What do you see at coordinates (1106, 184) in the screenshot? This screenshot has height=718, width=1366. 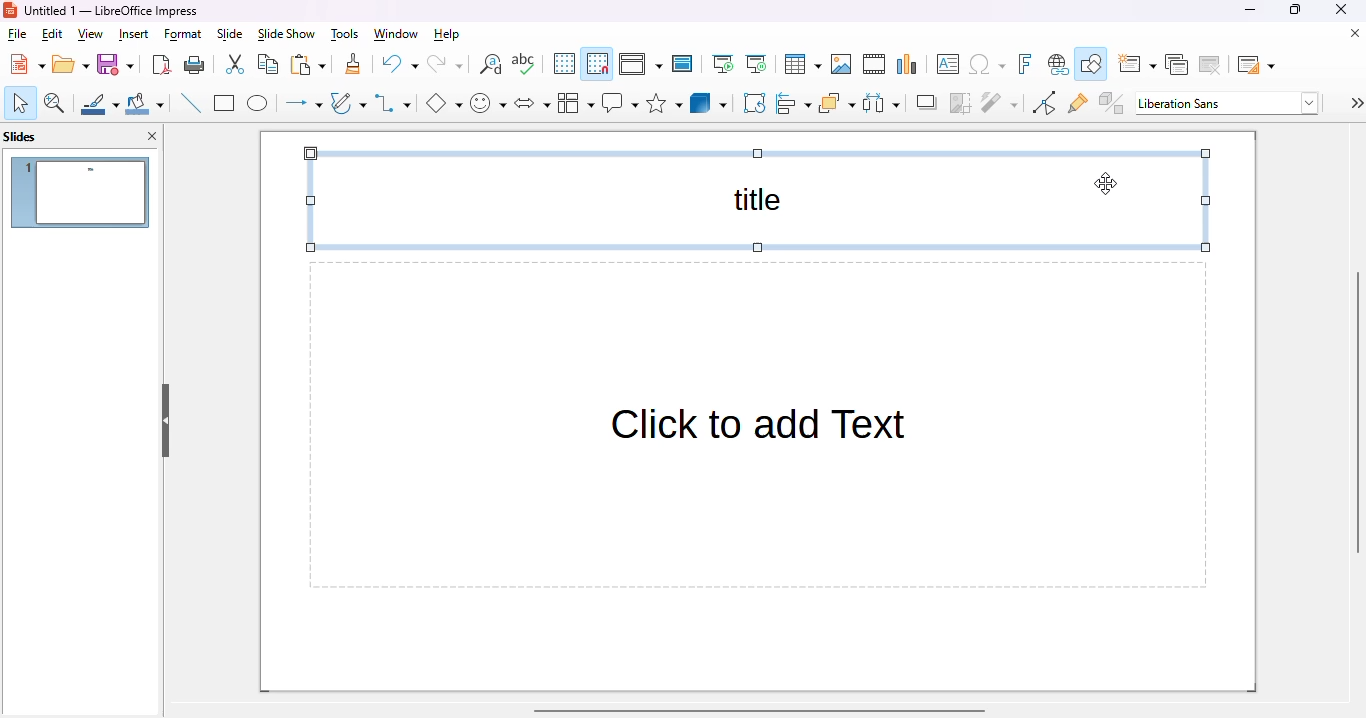 I see `cursor` at bounding box center [1106, 184].